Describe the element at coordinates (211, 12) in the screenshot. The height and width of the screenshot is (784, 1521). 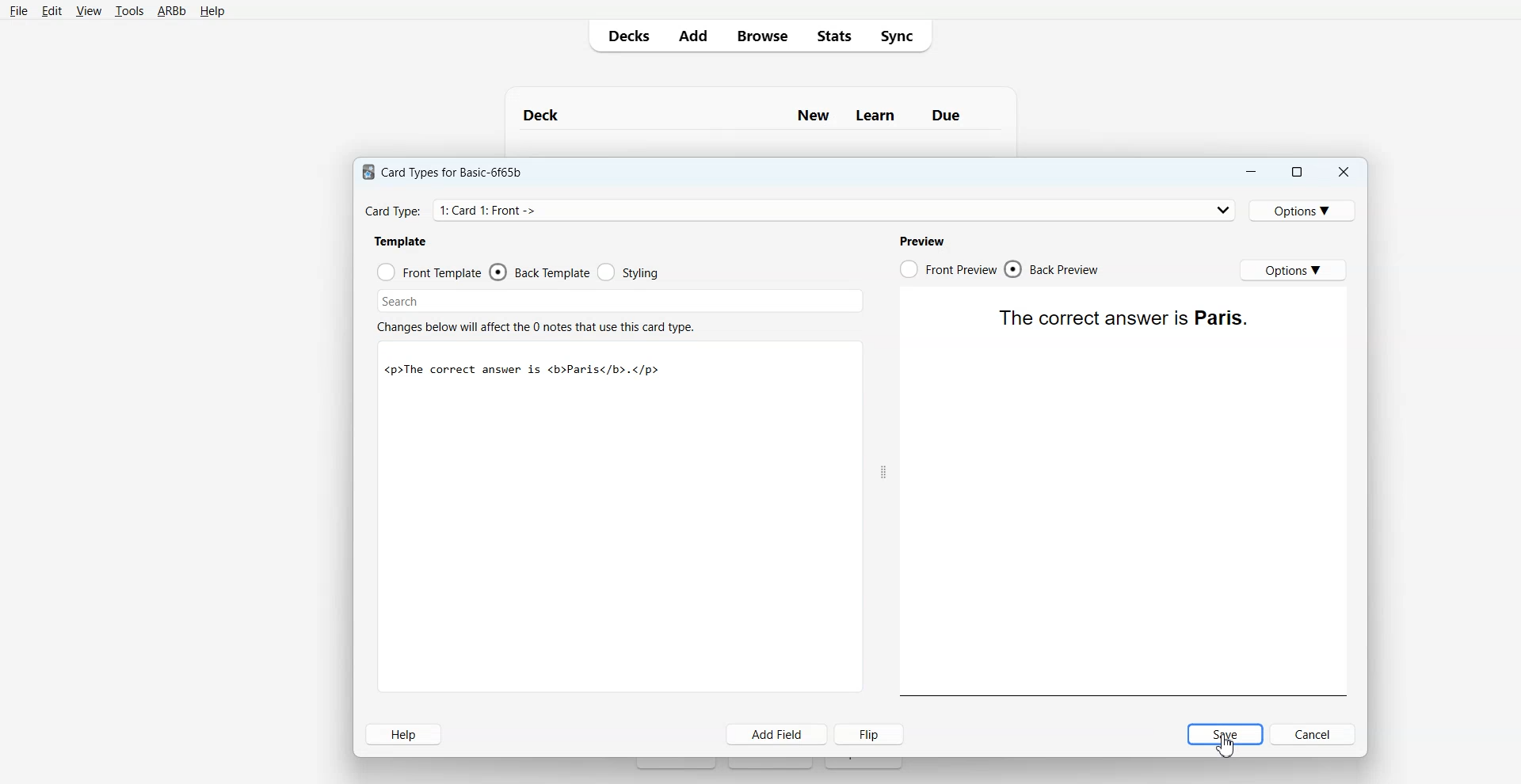
I see `Help` at that location.